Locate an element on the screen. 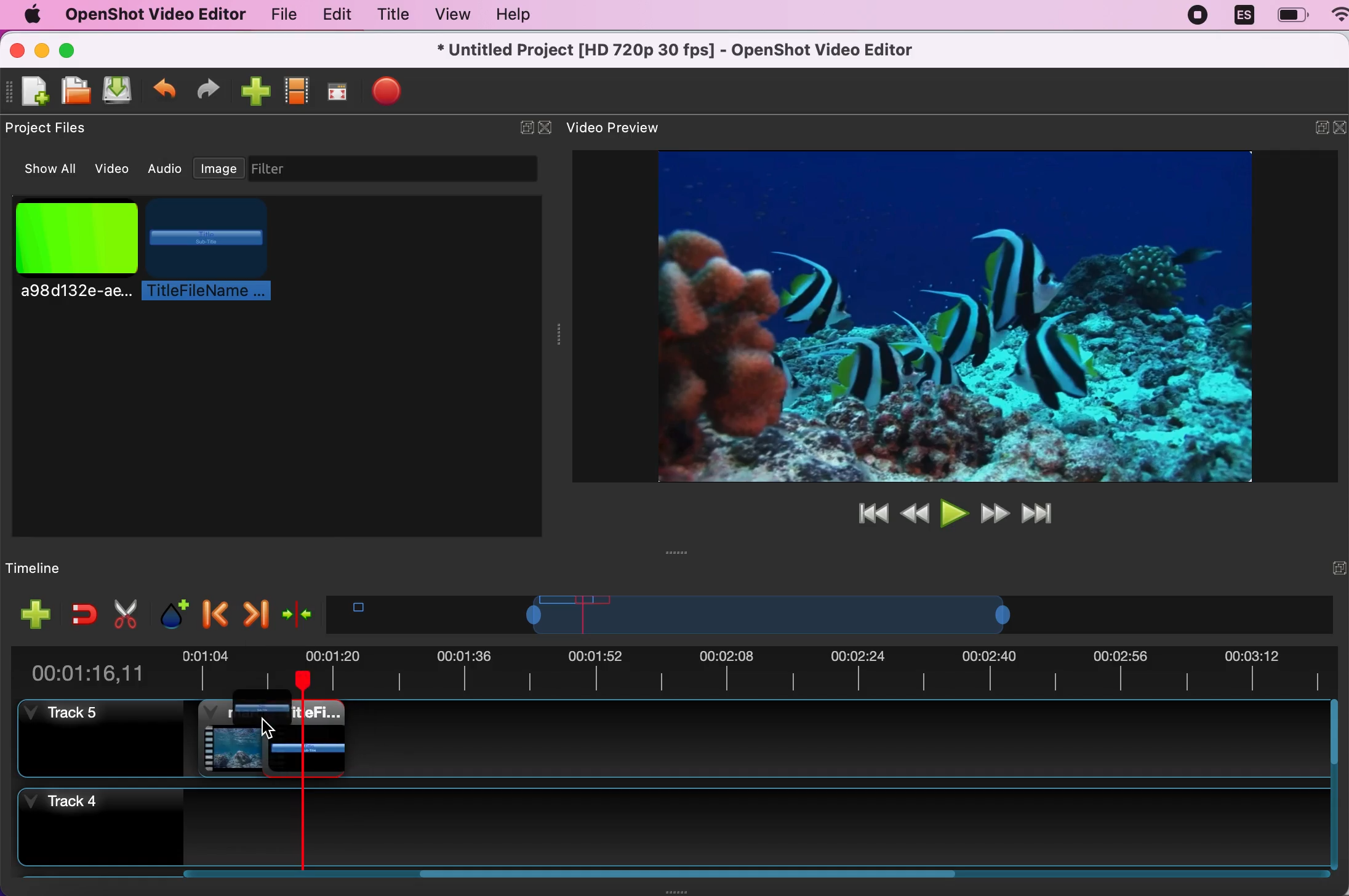 The image size is (1349, 896). close is located at coordinates (545, 128).